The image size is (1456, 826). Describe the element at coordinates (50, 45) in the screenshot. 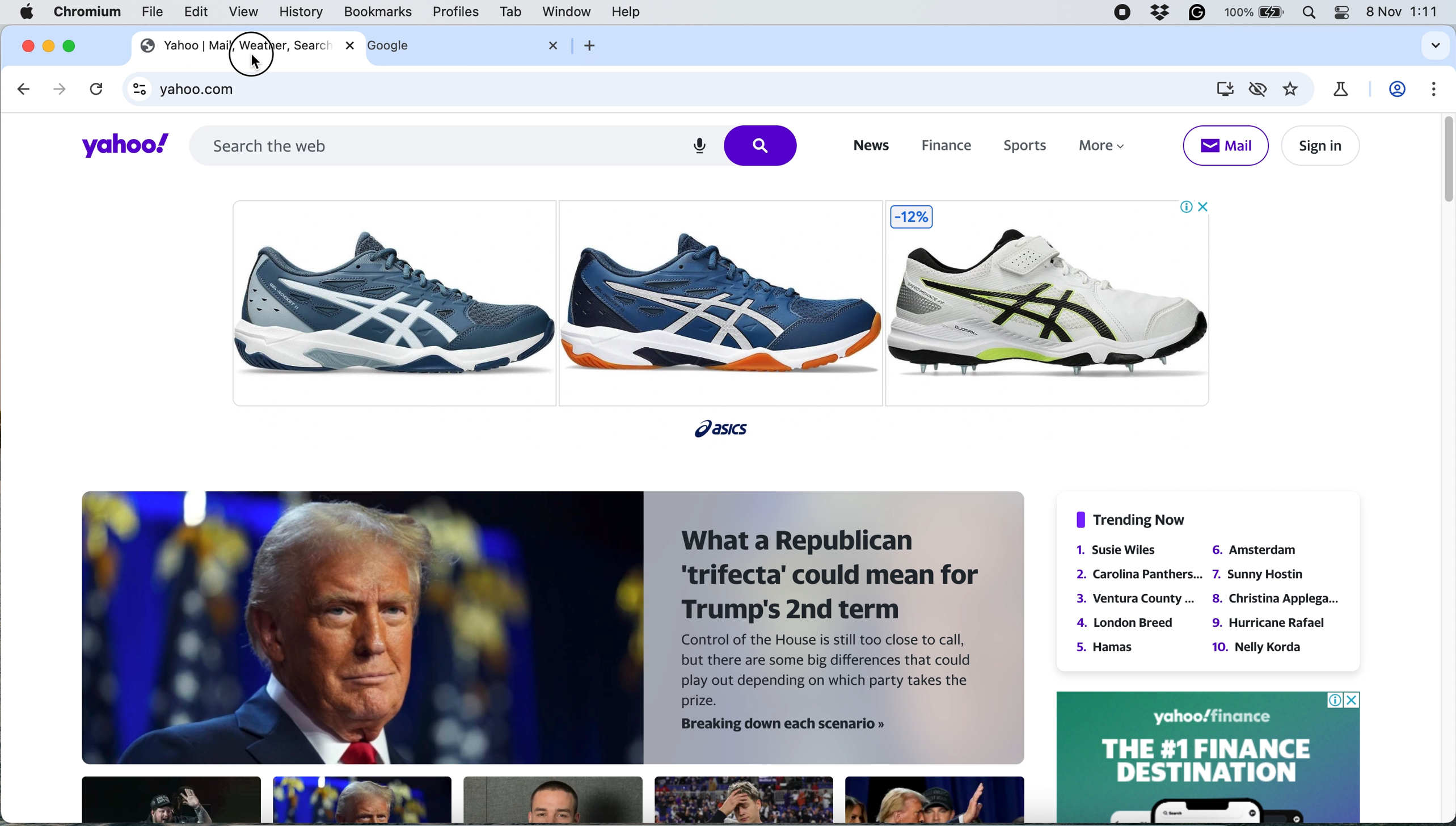

I see `minimise` at that location.